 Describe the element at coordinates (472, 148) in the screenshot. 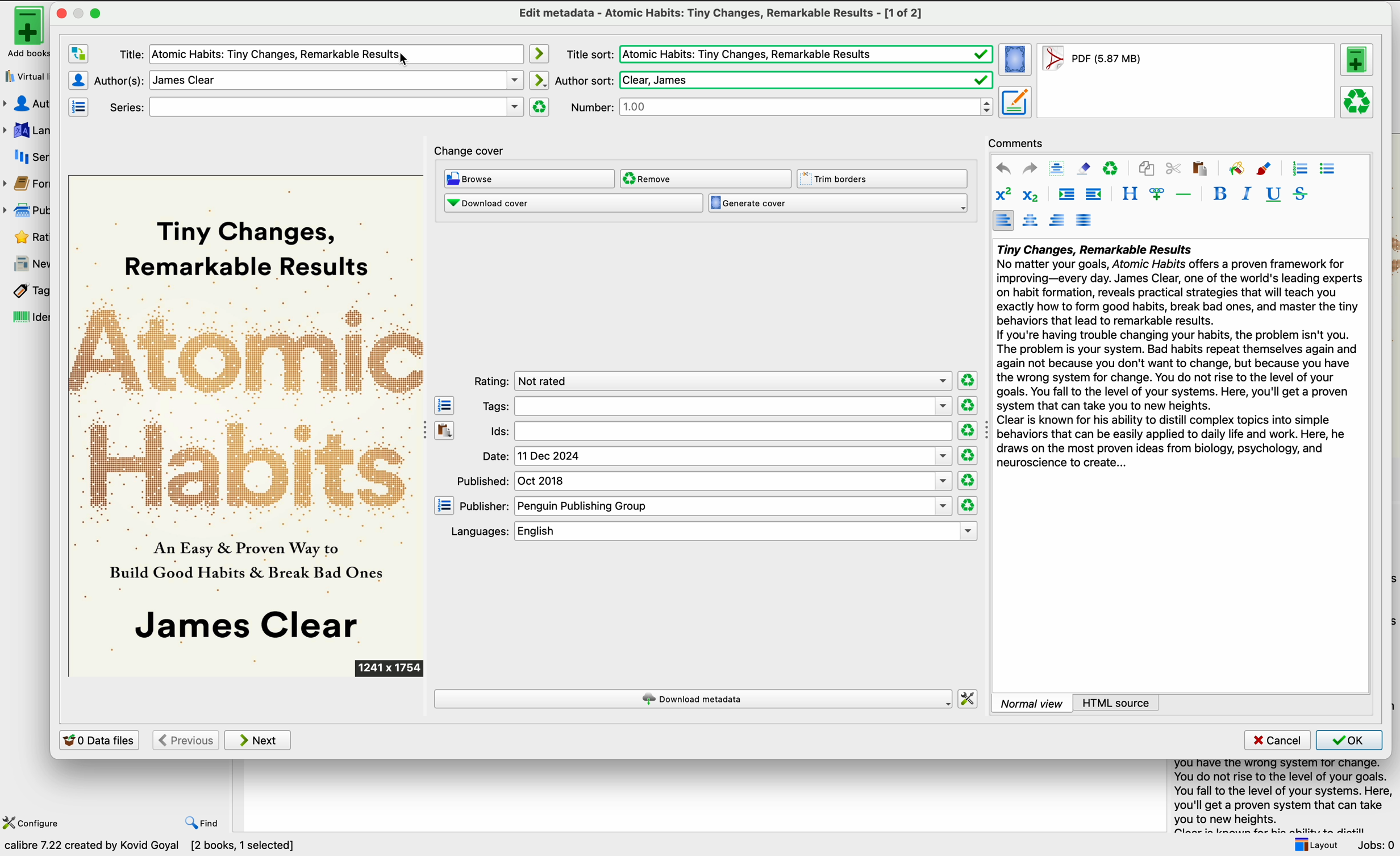

I see `change cover` at that location.